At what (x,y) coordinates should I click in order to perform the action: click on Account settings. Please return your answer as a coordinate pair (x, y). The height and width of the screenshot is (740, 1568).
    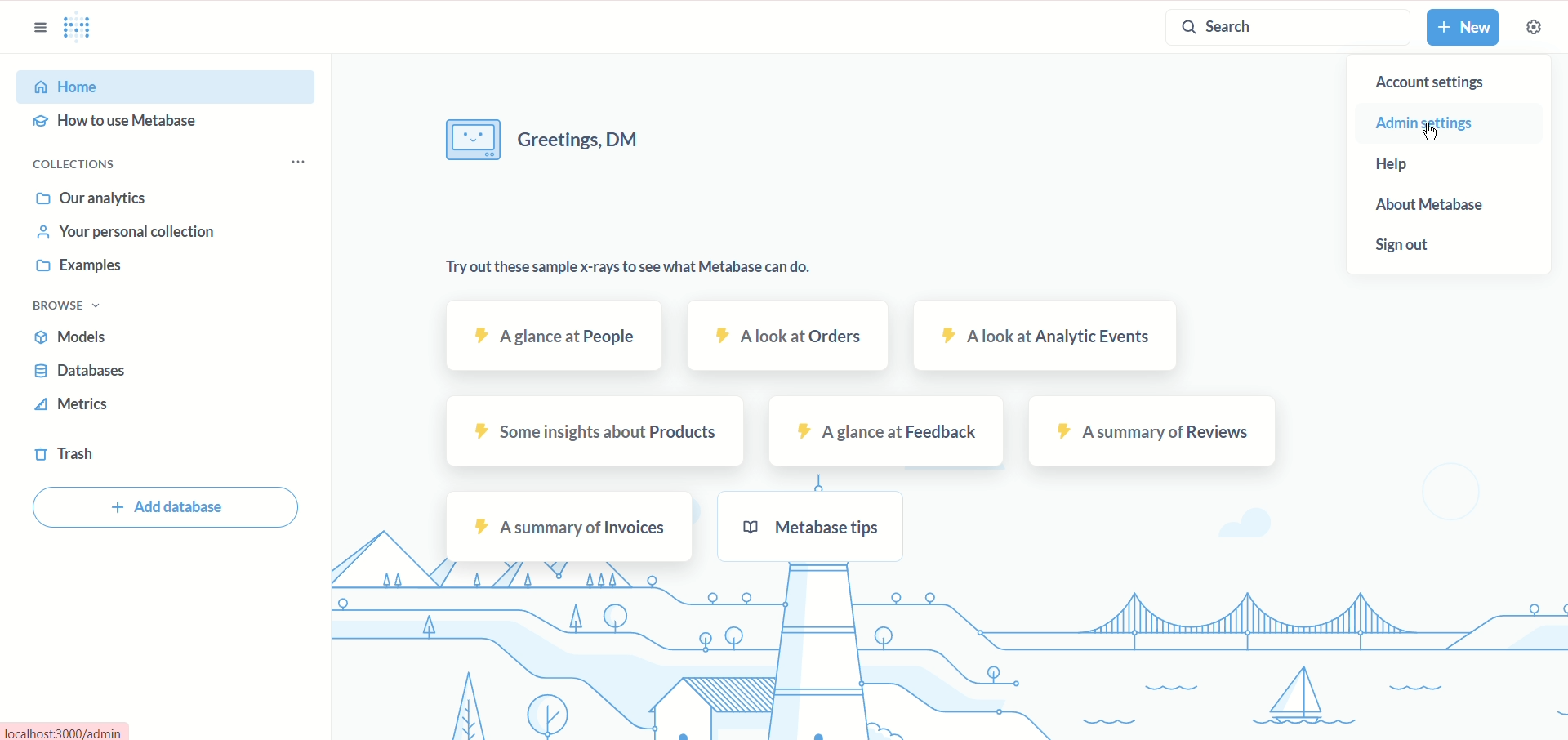
    Looking at the image, I should click on (1437, 82).